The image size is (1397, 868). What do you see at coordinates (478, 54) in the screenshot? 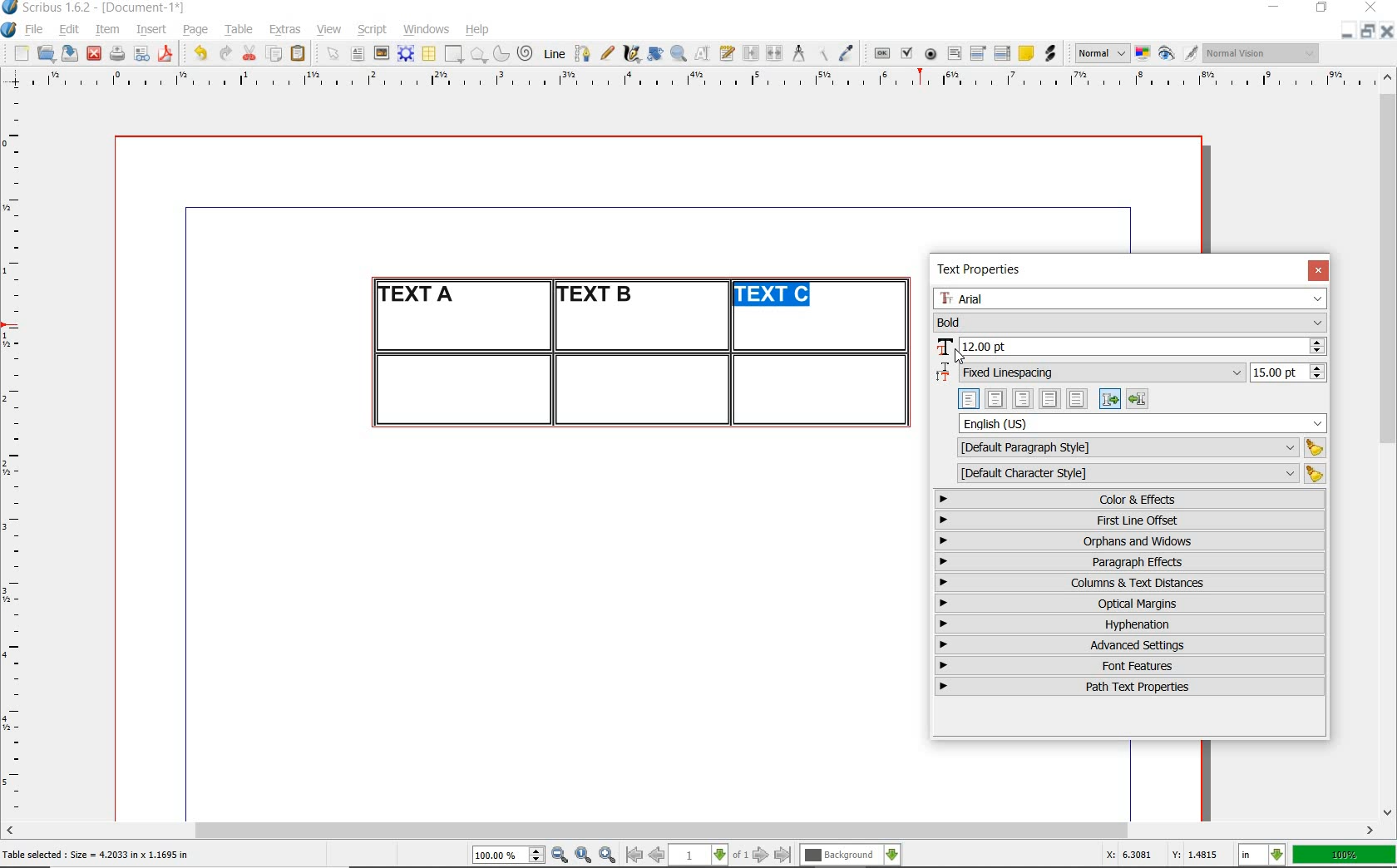
I see `polygon` at bounding box center [478, 54].